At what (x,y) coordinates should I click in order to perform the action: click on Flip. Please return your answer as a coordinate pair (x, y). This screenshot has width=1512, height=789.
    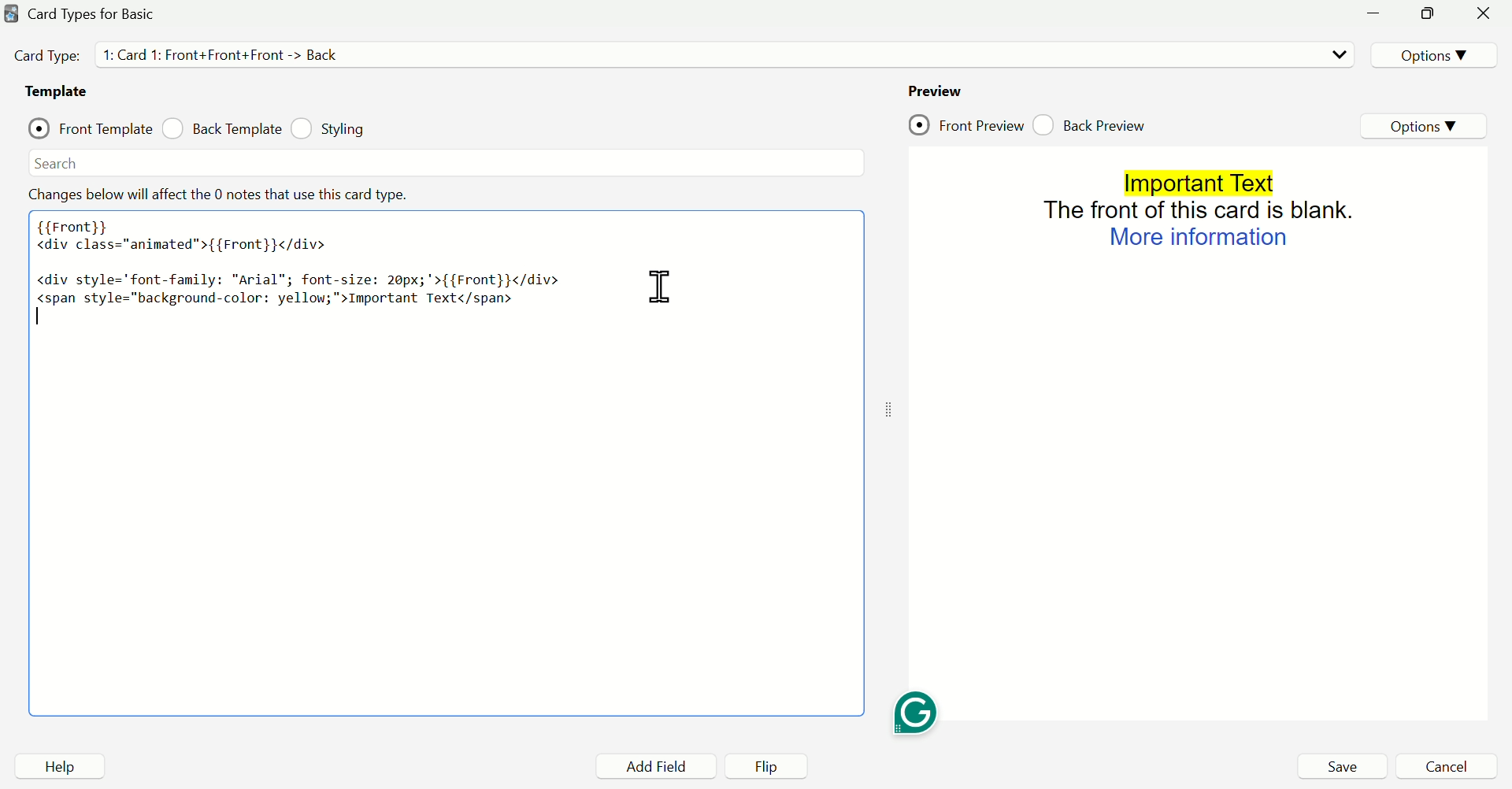
    Looking at the image, I should click on (759, 765).